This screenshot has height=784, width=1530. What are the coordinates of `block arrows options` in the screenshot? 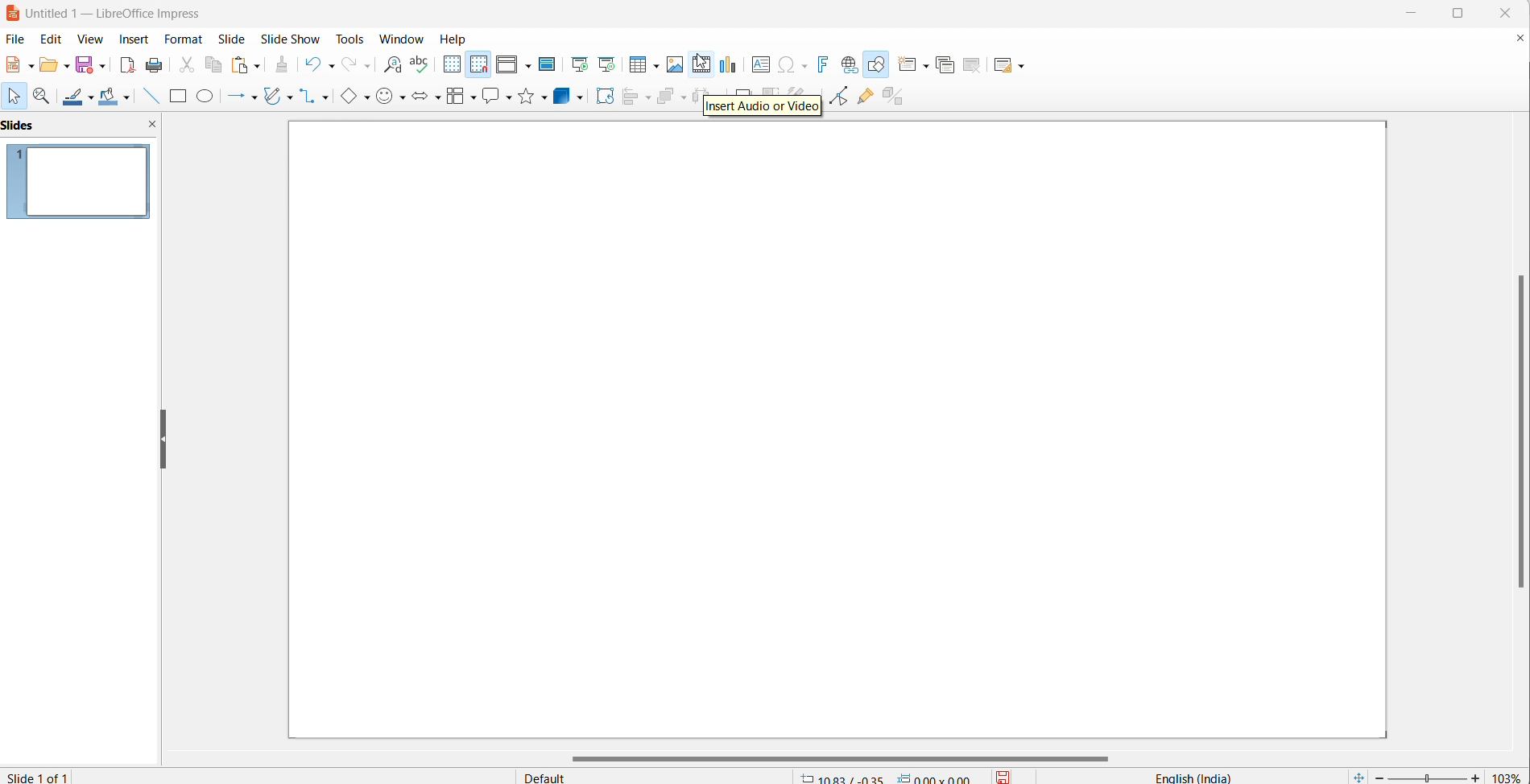 It's located at (439, 98).